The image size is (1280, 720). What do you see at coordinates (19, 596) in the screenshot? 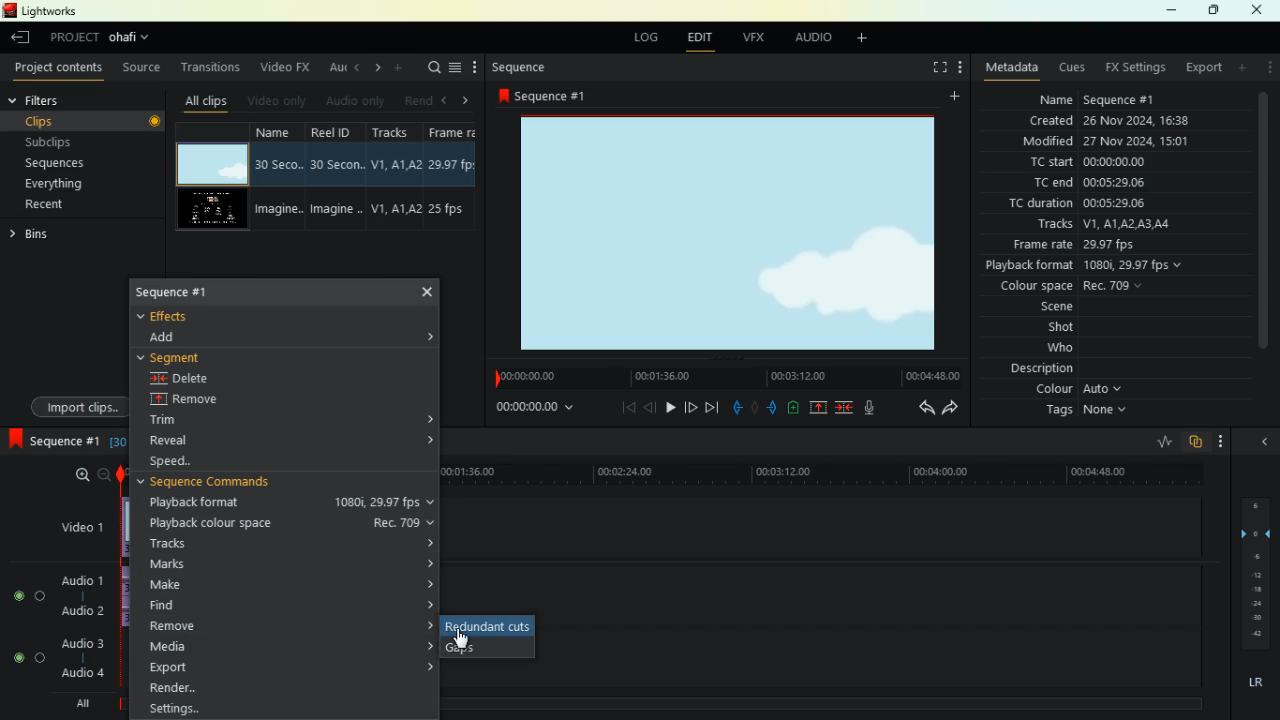
I see `toggle` at bounding box center [19, 596].